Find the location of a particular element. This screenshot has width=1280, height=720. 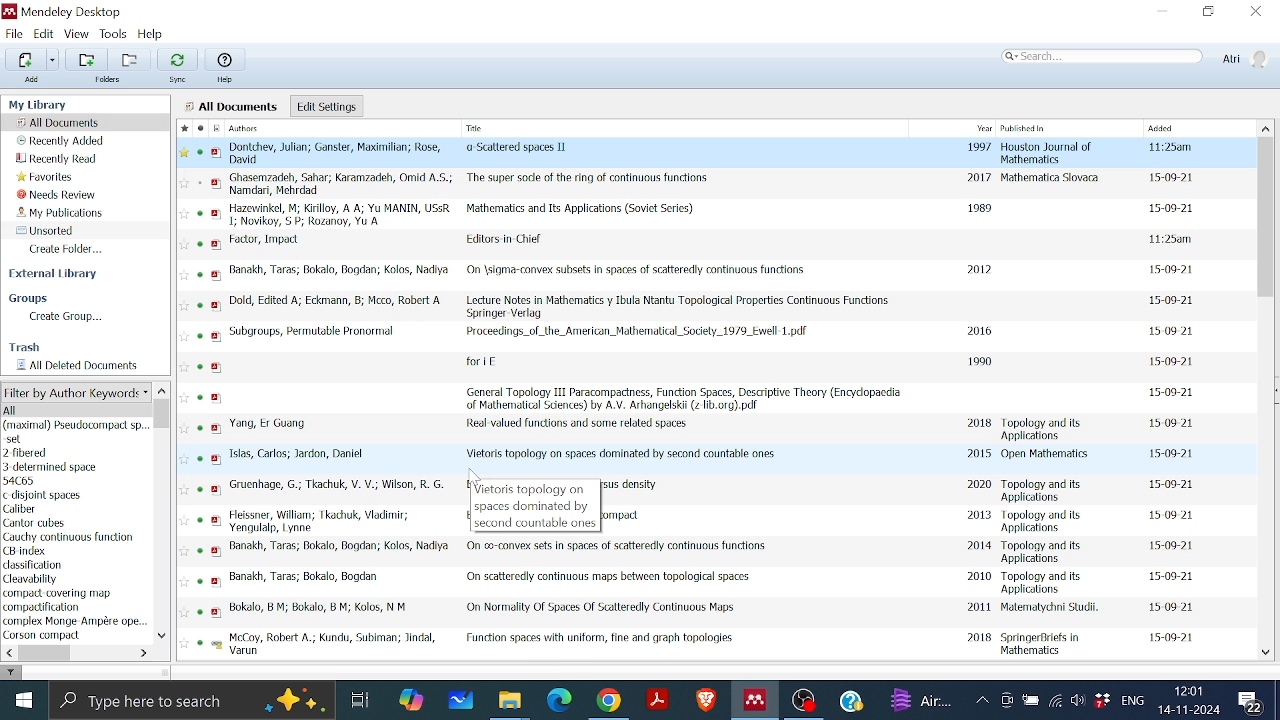

Author is located at coordinates (342, 271).